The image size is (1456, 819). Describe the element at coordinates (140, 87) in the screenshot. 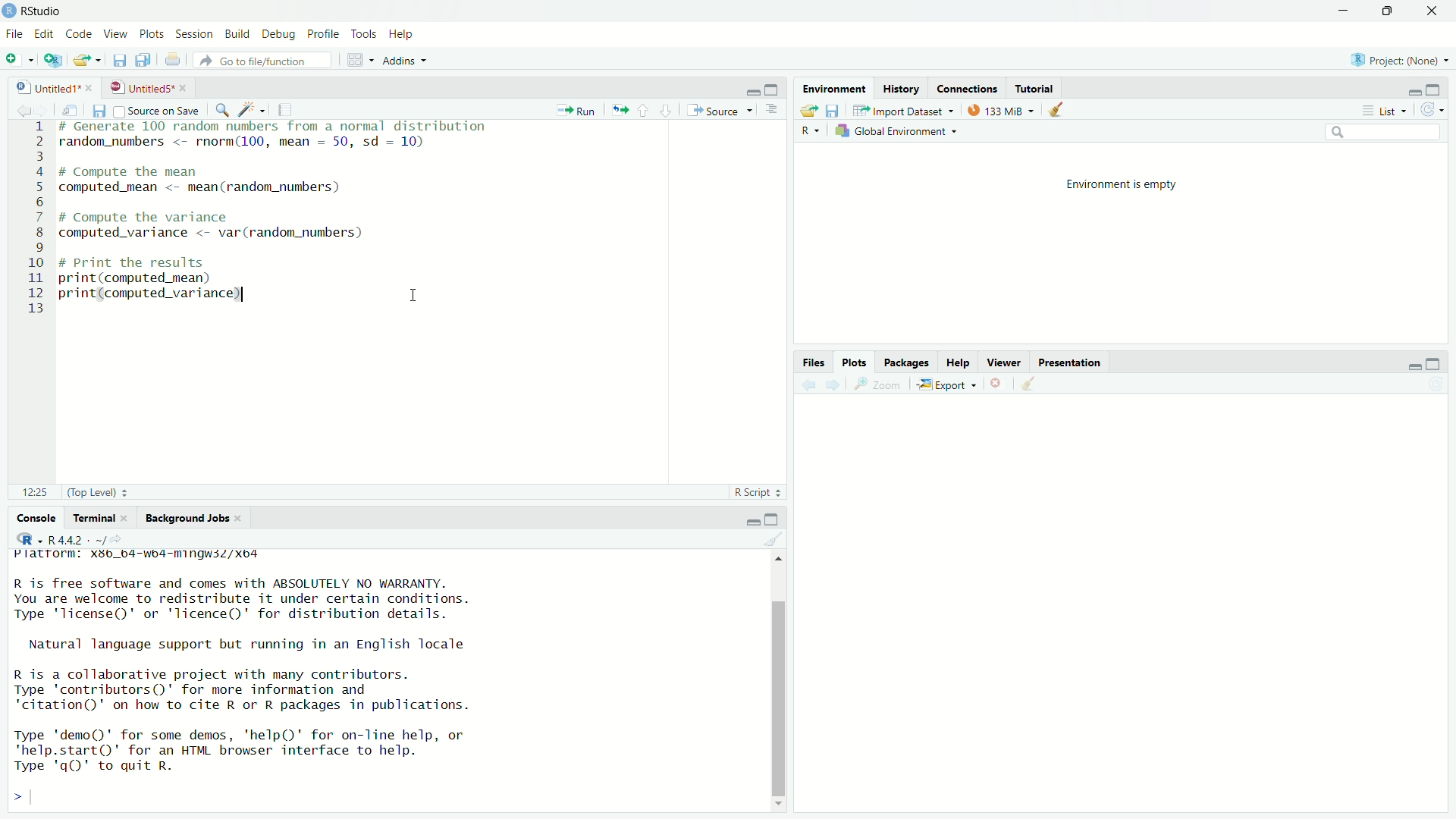

I see `untitled5` at that location.